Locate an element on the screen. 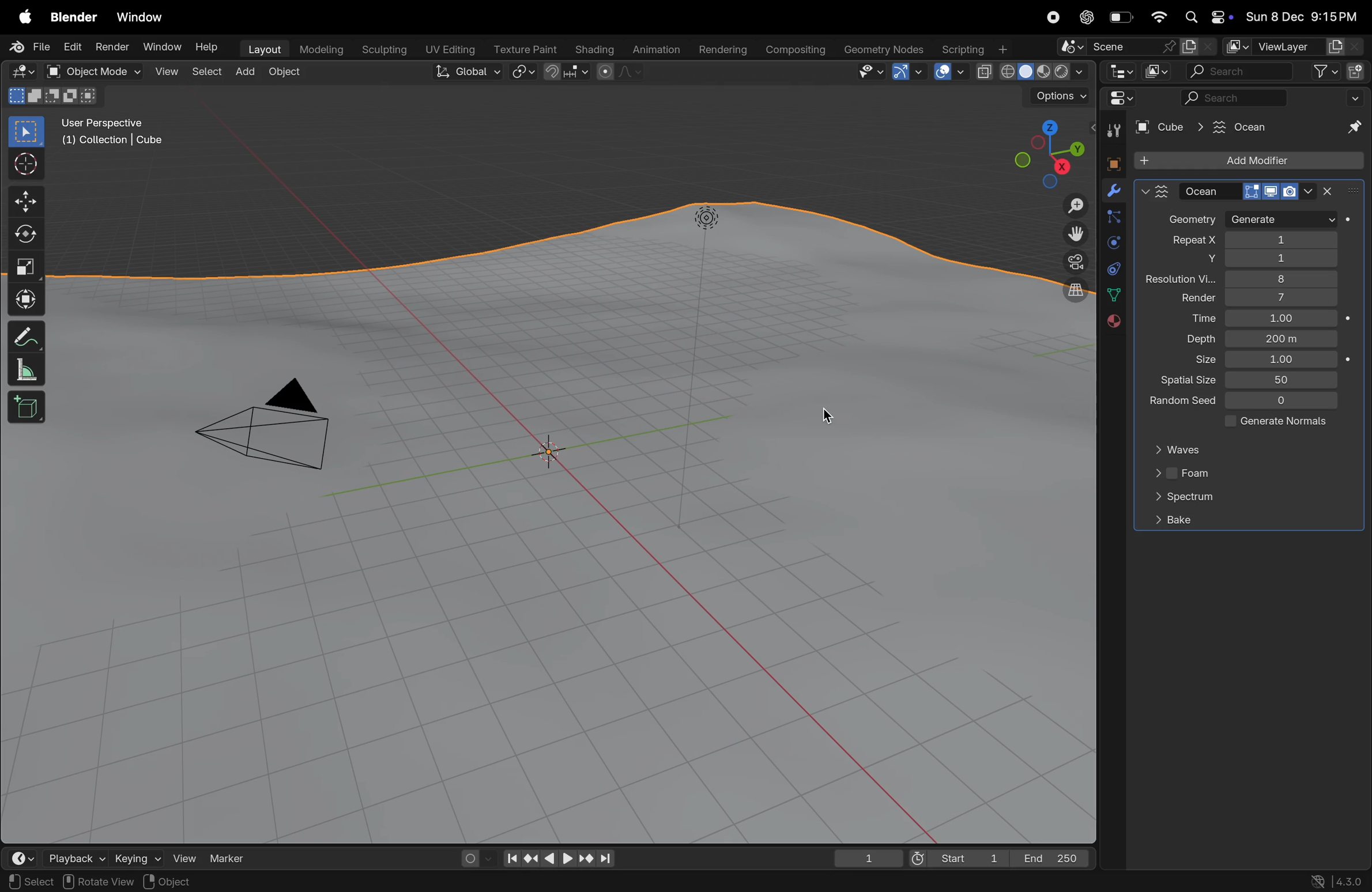 The height and width of the screenshot is (892, 1372). wifi is located at coordinates (1159, 17).